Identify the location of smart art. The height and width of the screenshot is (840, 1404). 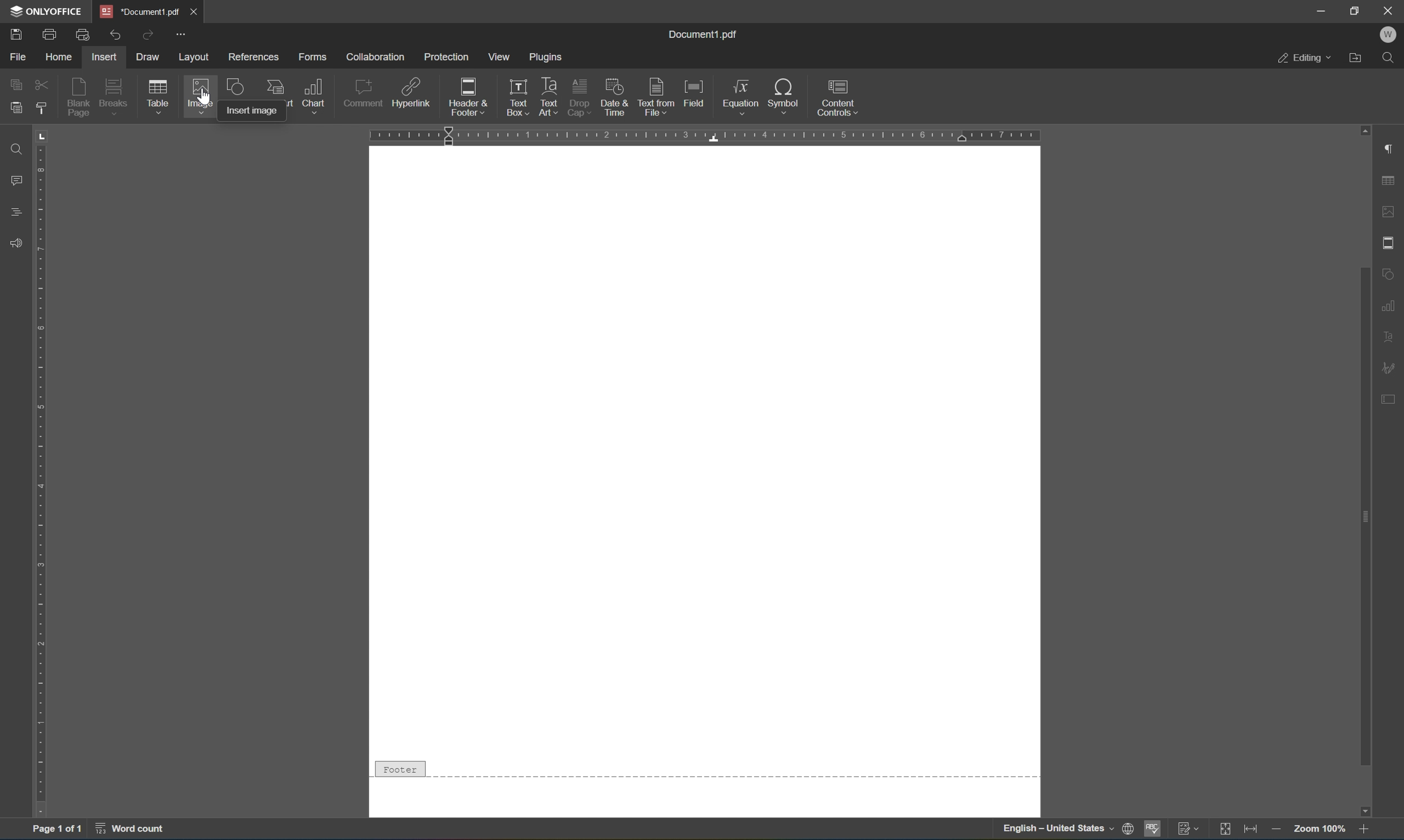
(274, 88).